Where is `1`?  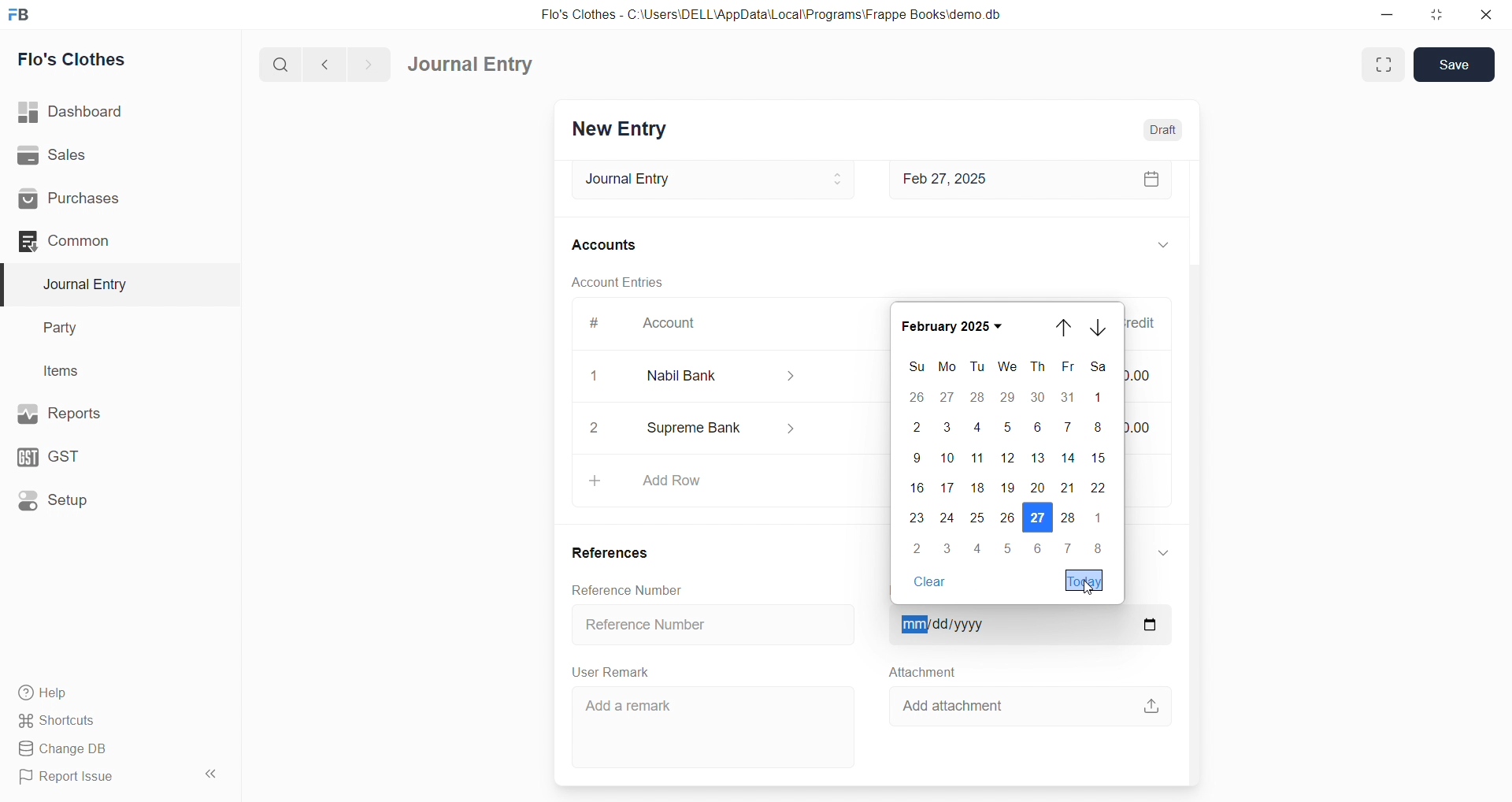 1 is located at coordinates (1098, 397).